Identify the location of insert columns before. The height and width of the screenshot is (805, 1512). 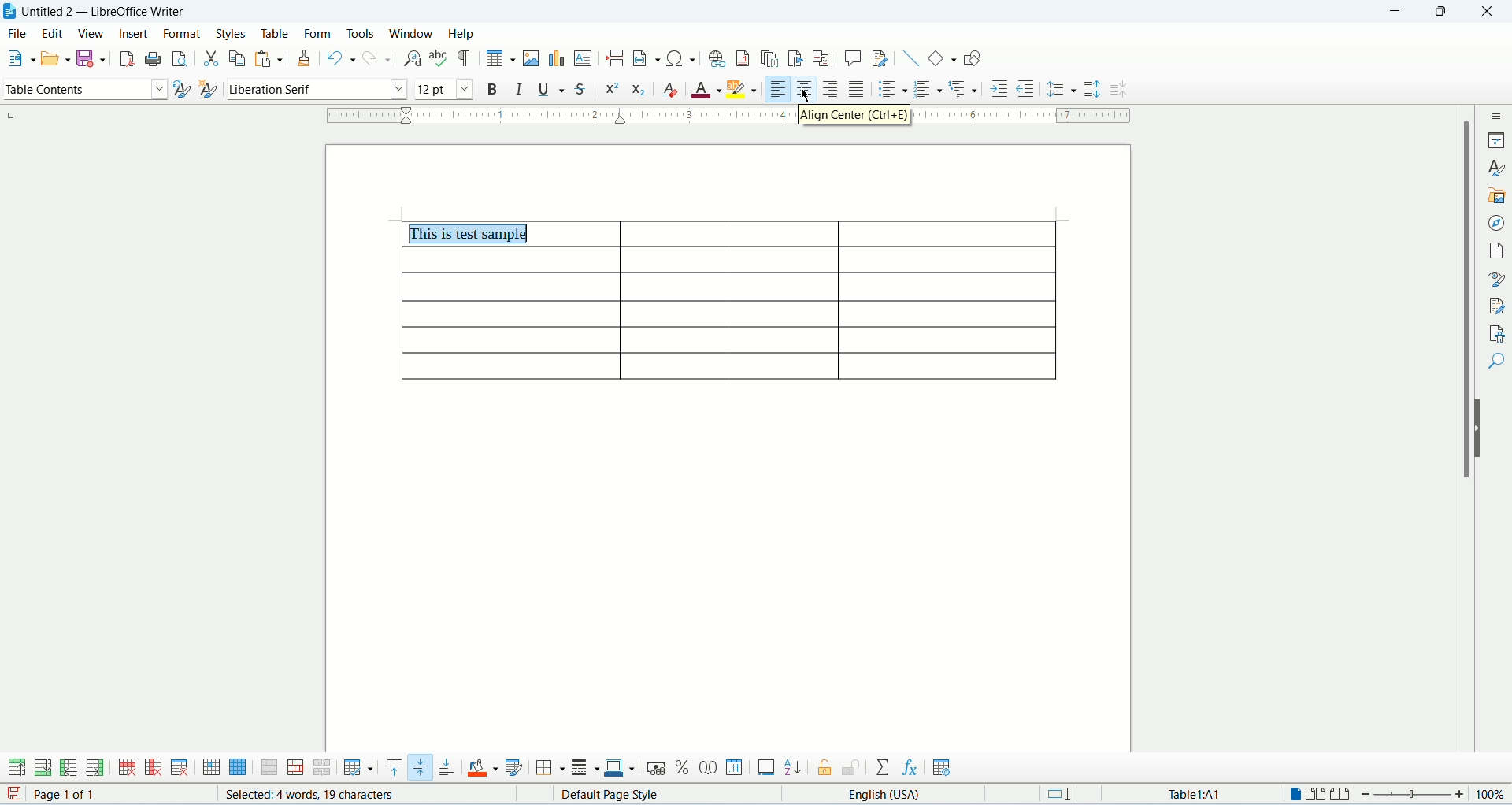
(68, 769).